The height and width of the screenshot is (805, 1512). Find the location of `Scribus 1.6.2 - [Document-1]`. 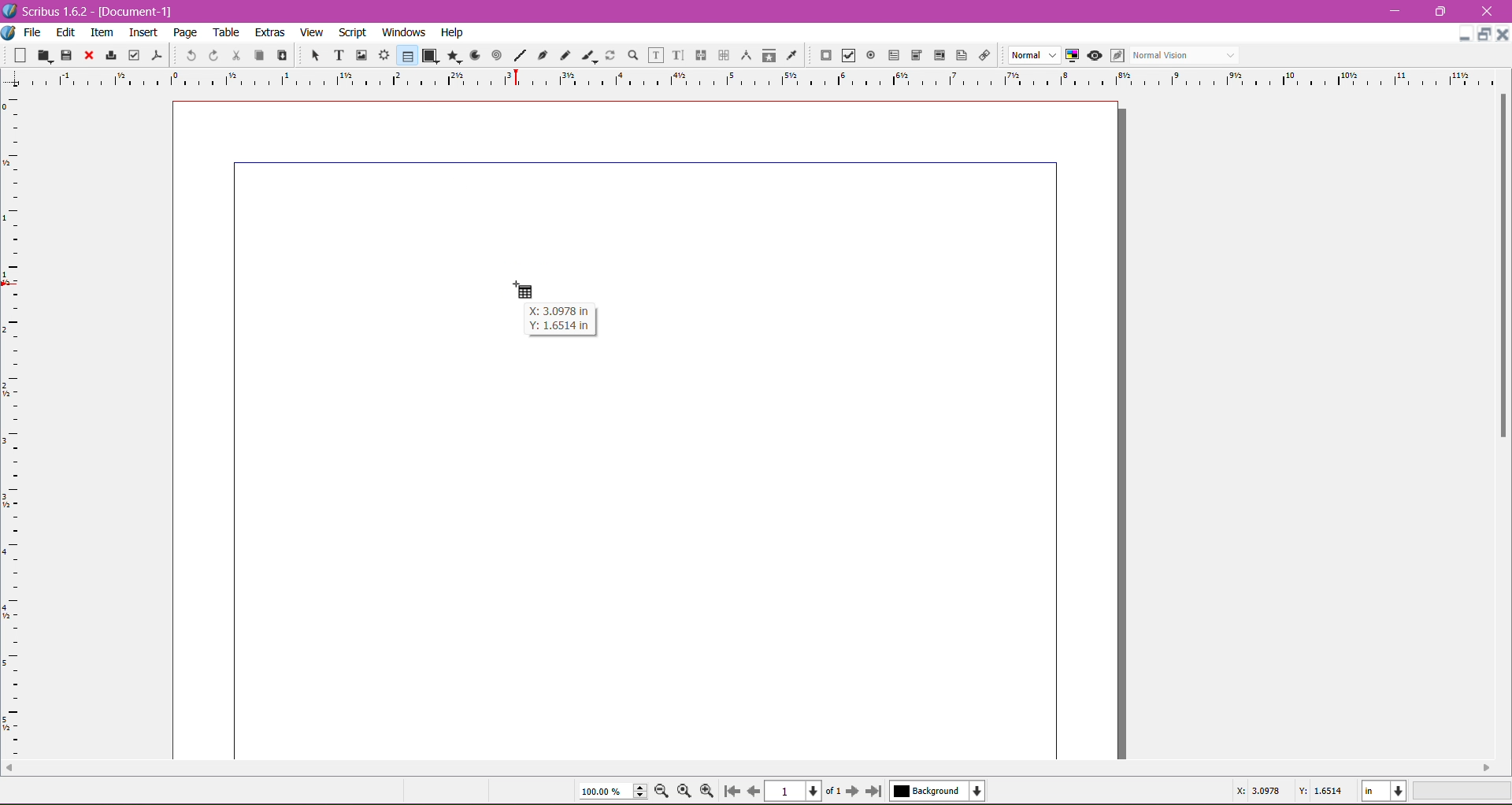

Scribus 1.6.2 - [Document-1] is located at coordinates (94, 11).